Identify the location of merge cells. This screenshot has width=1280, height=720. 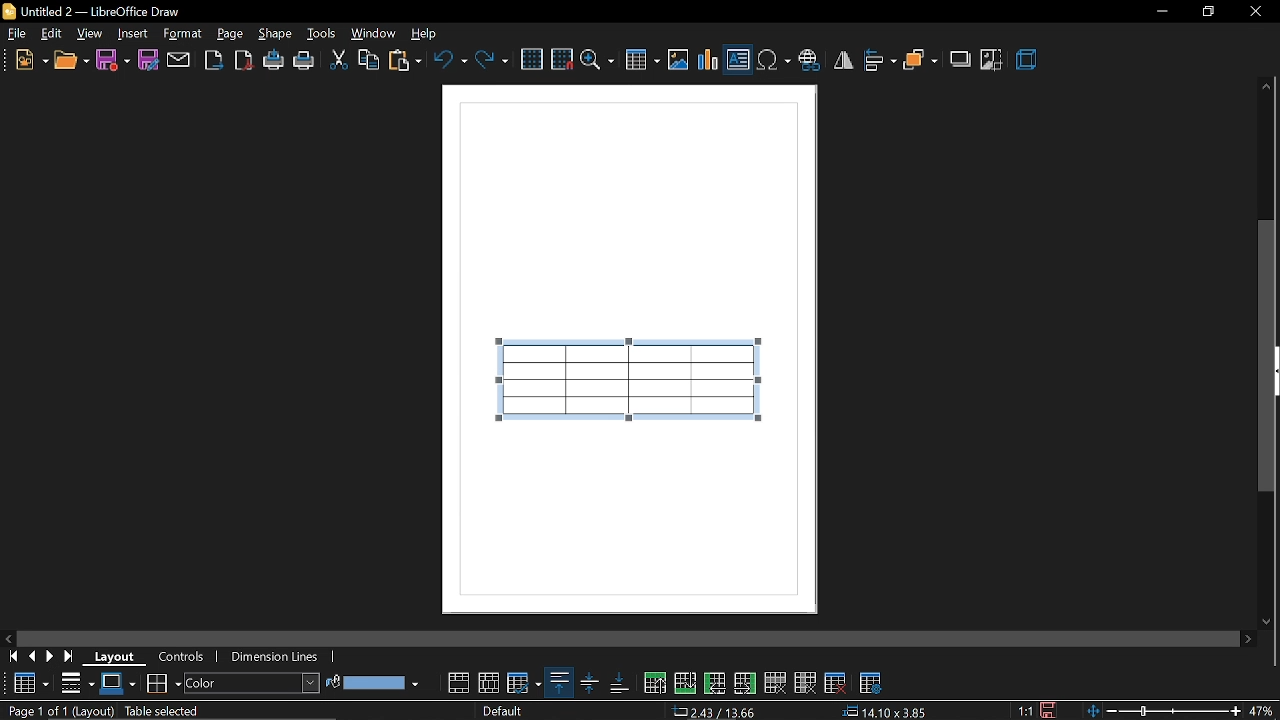
(458, 683).